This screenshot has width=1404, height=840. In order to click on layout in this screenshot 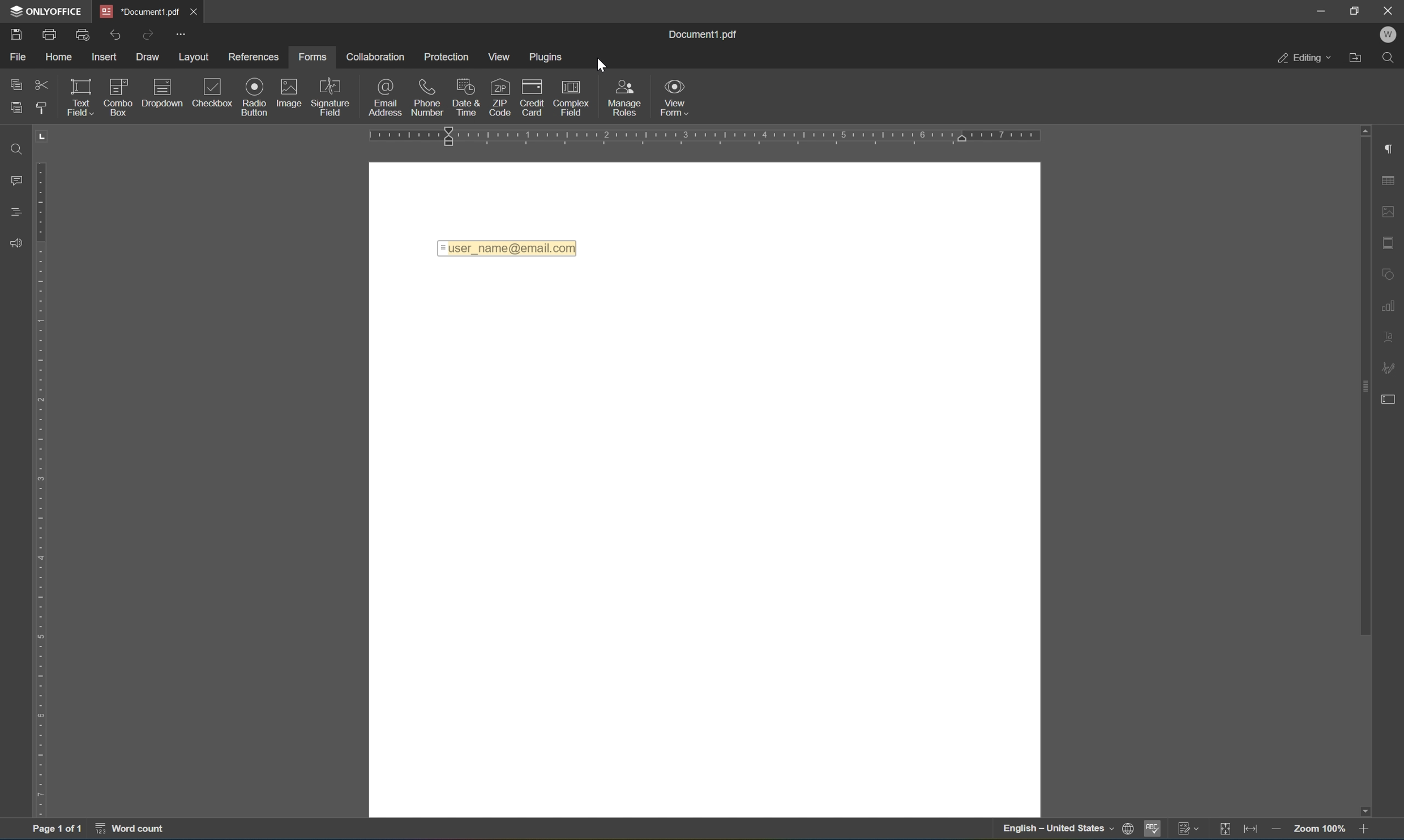, I will do `click(193, 58)`.